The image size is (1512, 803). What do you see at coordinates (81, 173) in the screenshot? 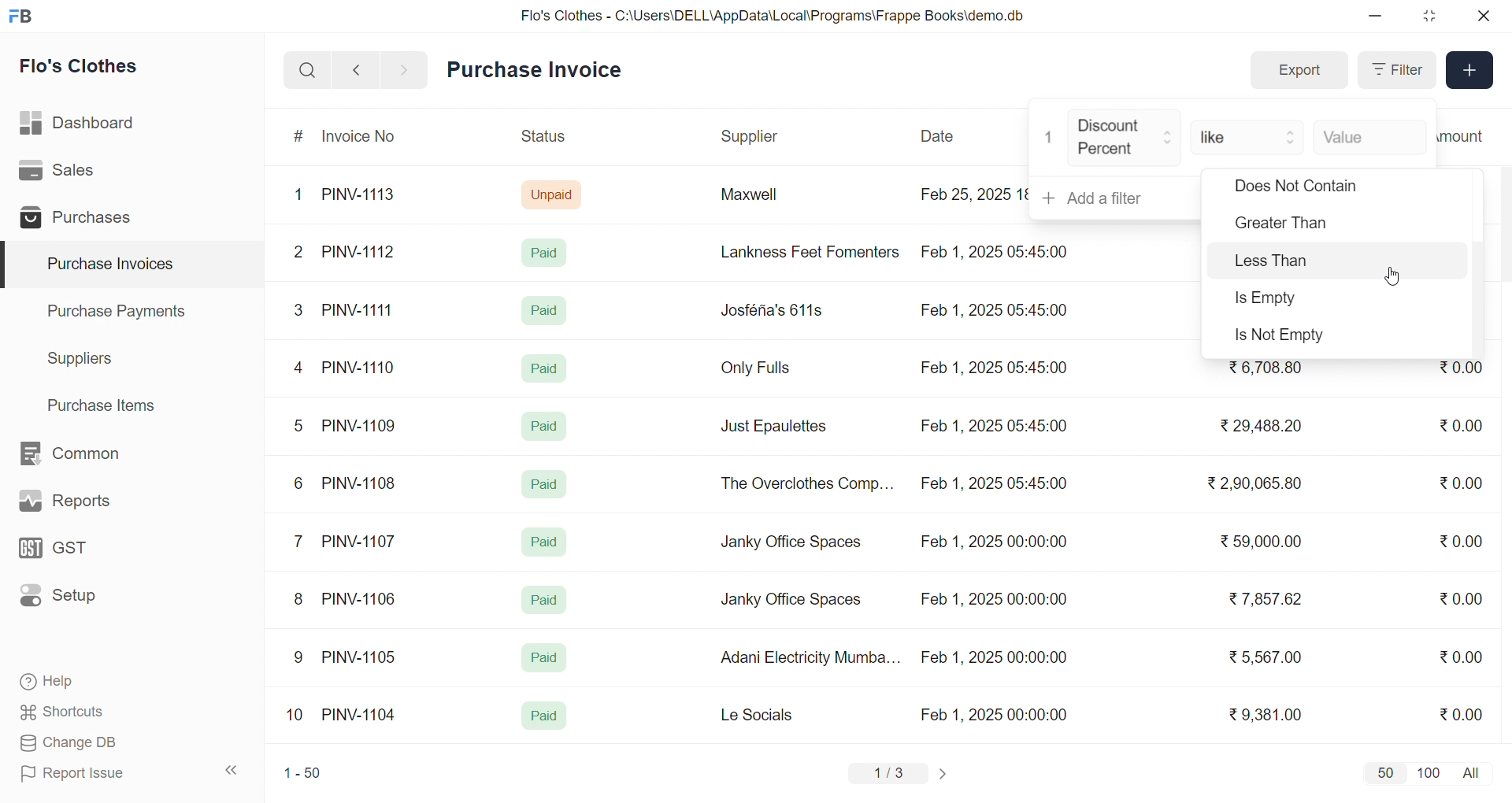
I see `Sales` at bounding box center [81, 173].